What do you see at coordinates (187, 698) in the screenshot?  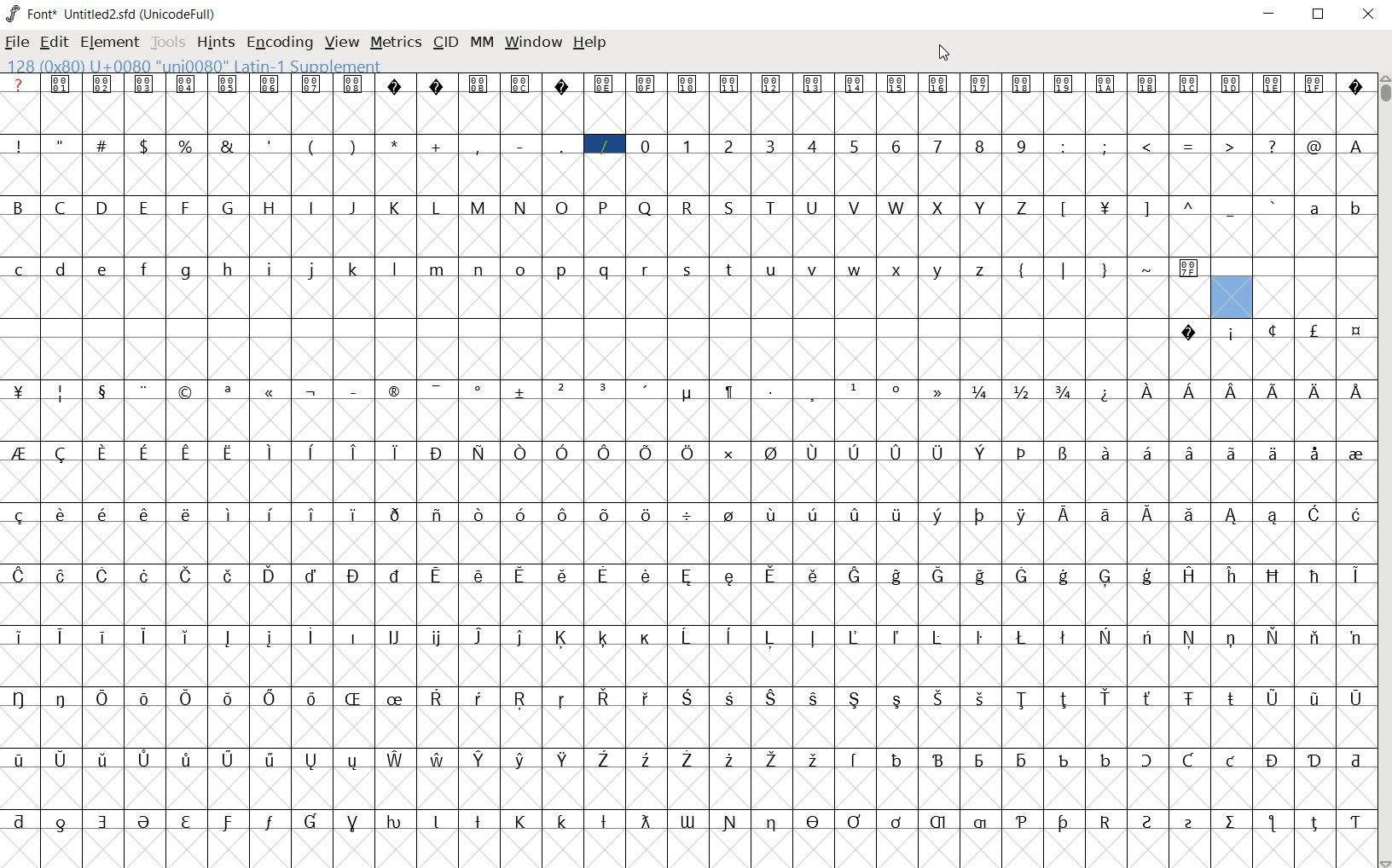 I see `glyph` at bounding box center [187, 698].